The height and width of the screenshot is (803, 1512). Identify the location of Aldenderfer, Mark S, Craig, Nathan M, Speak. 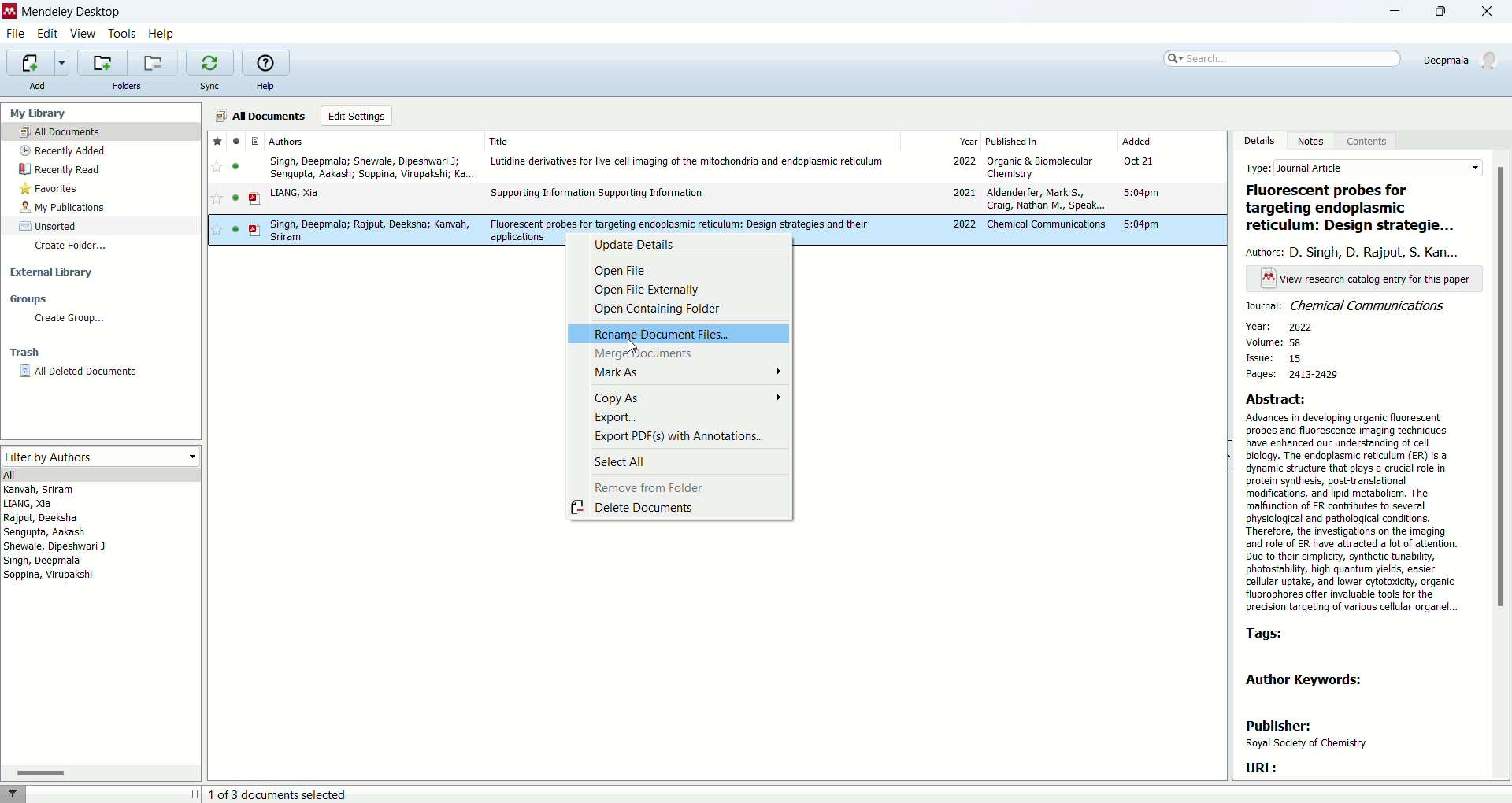
(1044, 200).